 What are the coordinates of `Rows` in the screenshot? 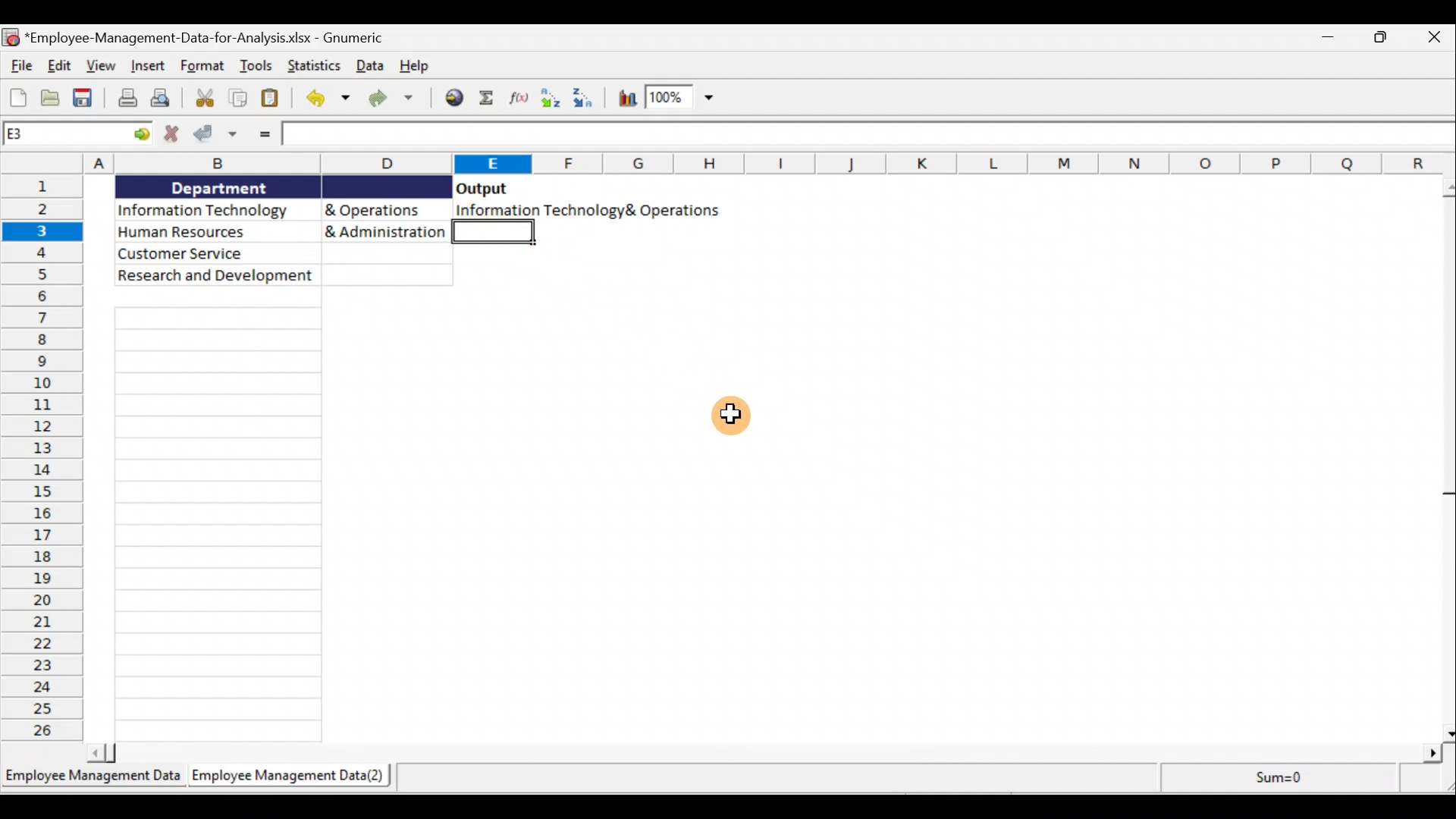 It's located at (45, 459).